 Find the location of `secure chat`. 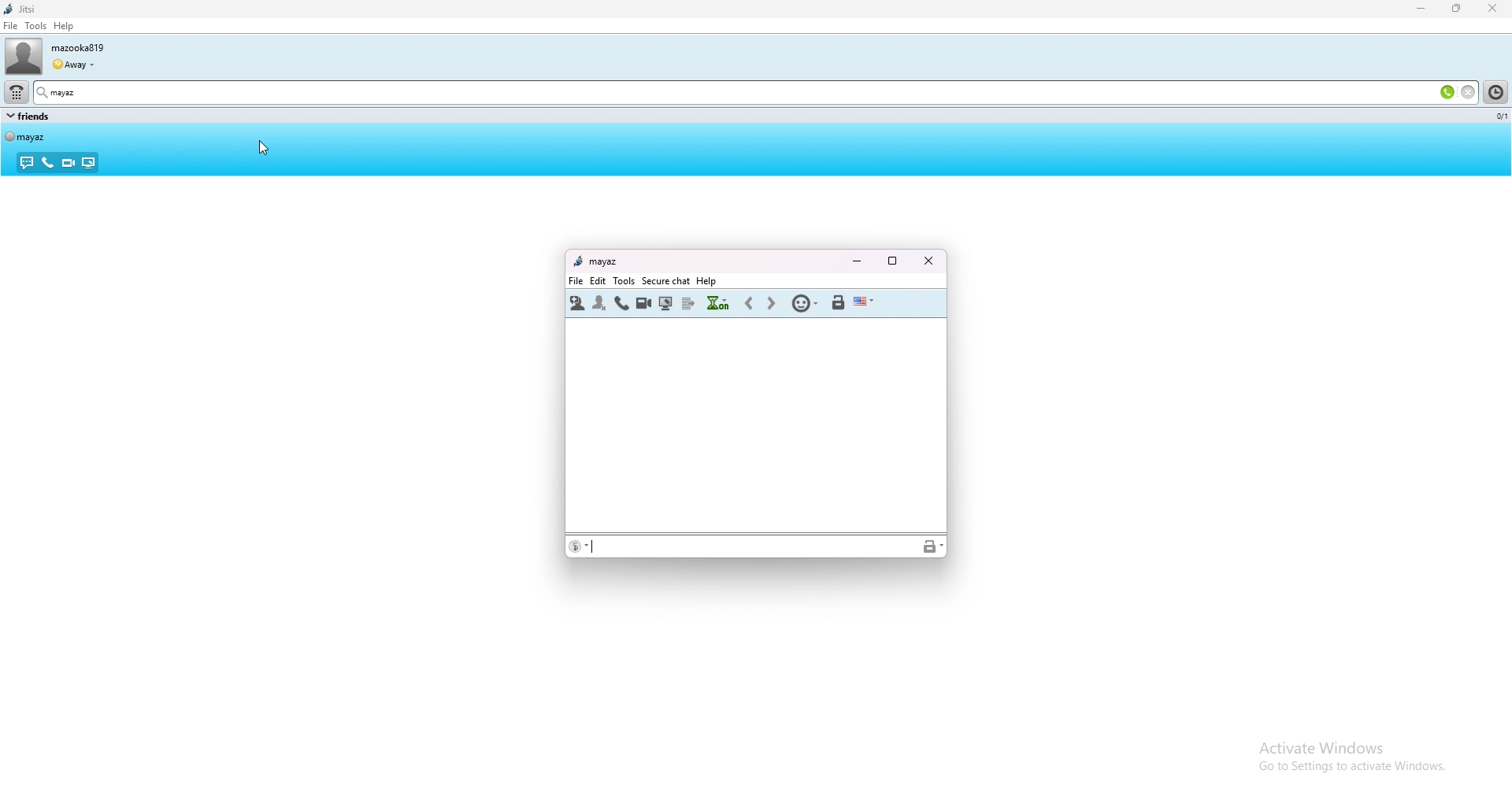

secure chat is located at coordinates (667, 280).